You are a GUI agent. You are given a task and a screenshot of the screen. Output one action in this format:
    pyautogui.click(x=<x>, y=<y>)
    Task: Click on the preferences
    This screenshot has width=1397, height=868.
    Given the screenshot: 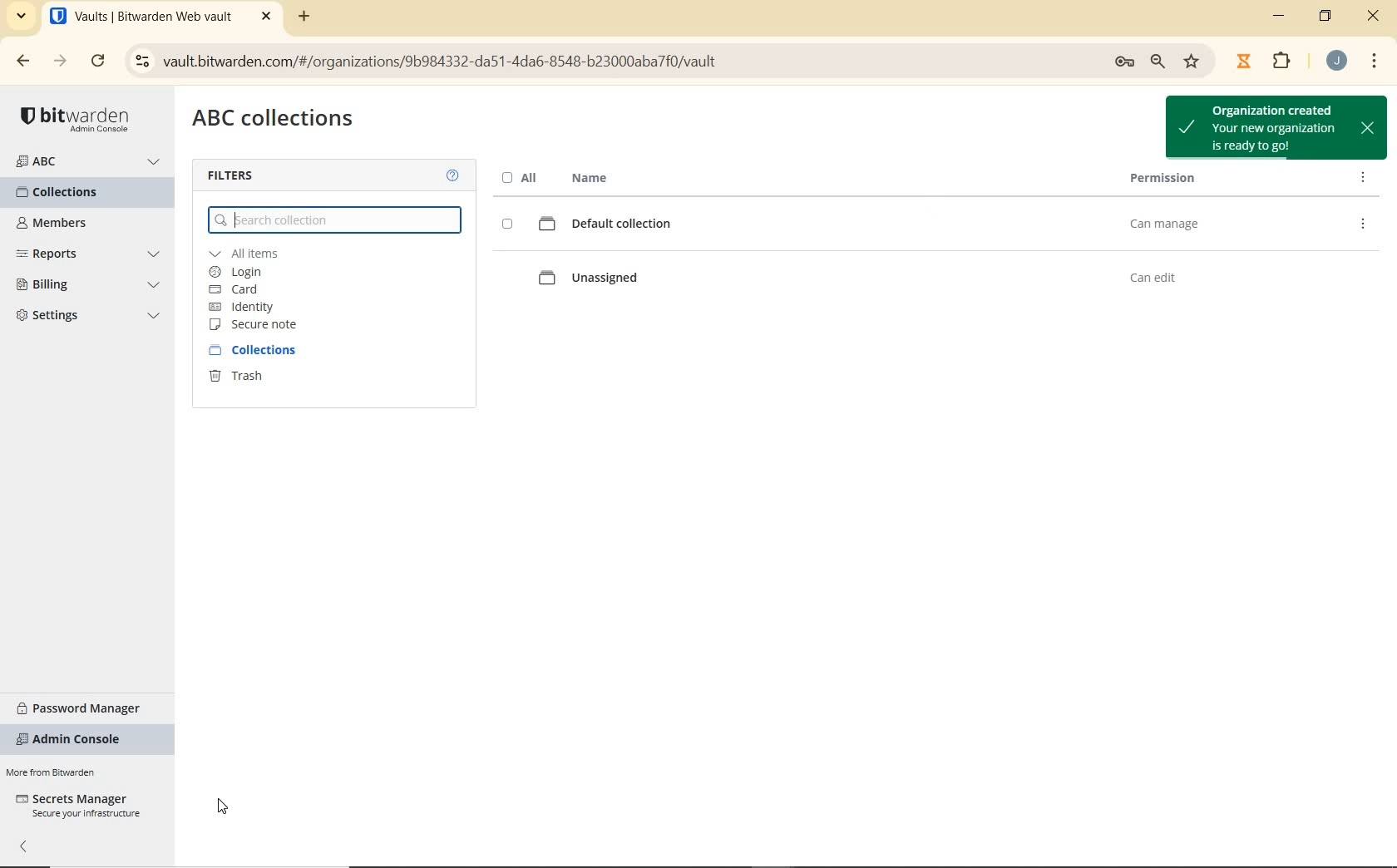 What is the action you would take?
    pyautogui.click(x=1123, y=62)
    